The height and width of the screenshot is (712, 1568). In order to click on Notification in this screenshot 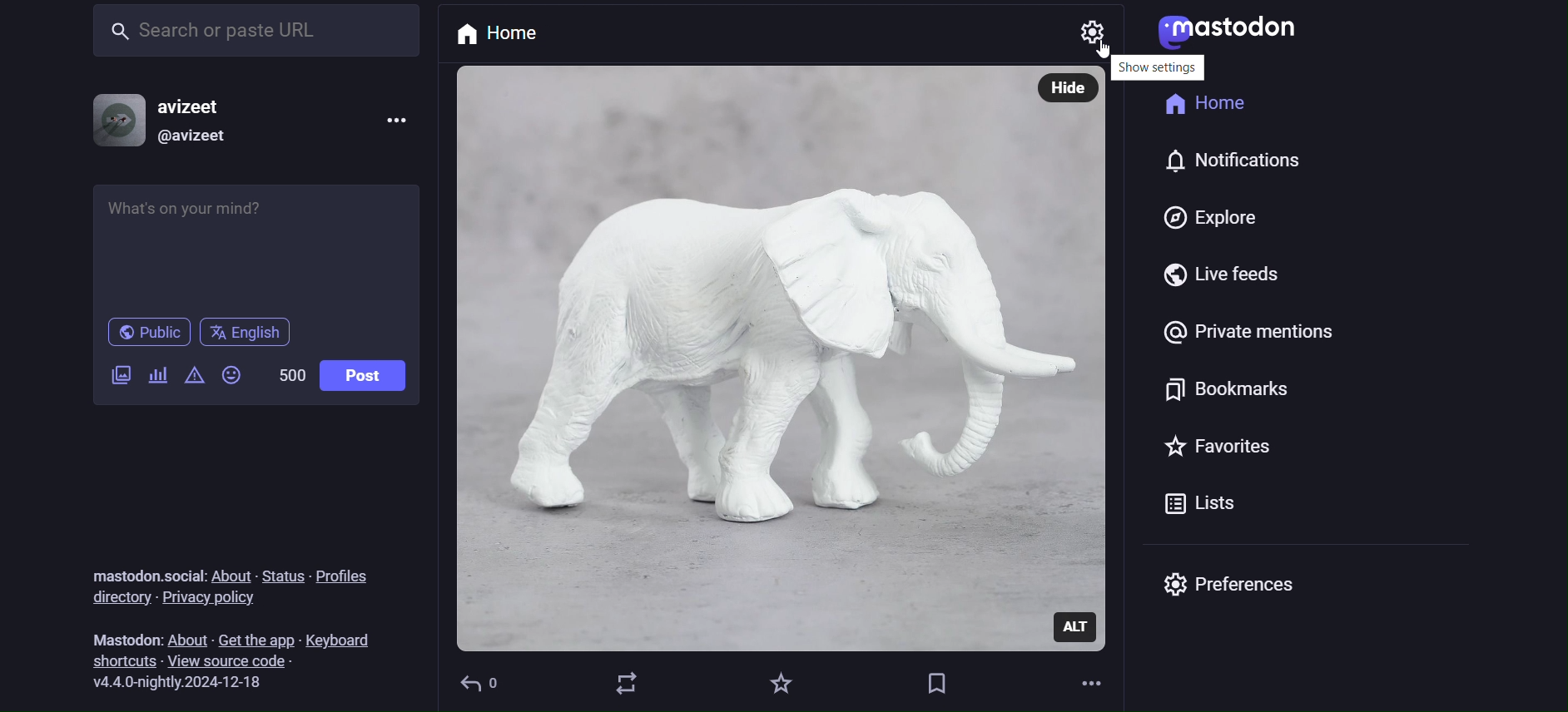, I will do `click(1248, 164)`.